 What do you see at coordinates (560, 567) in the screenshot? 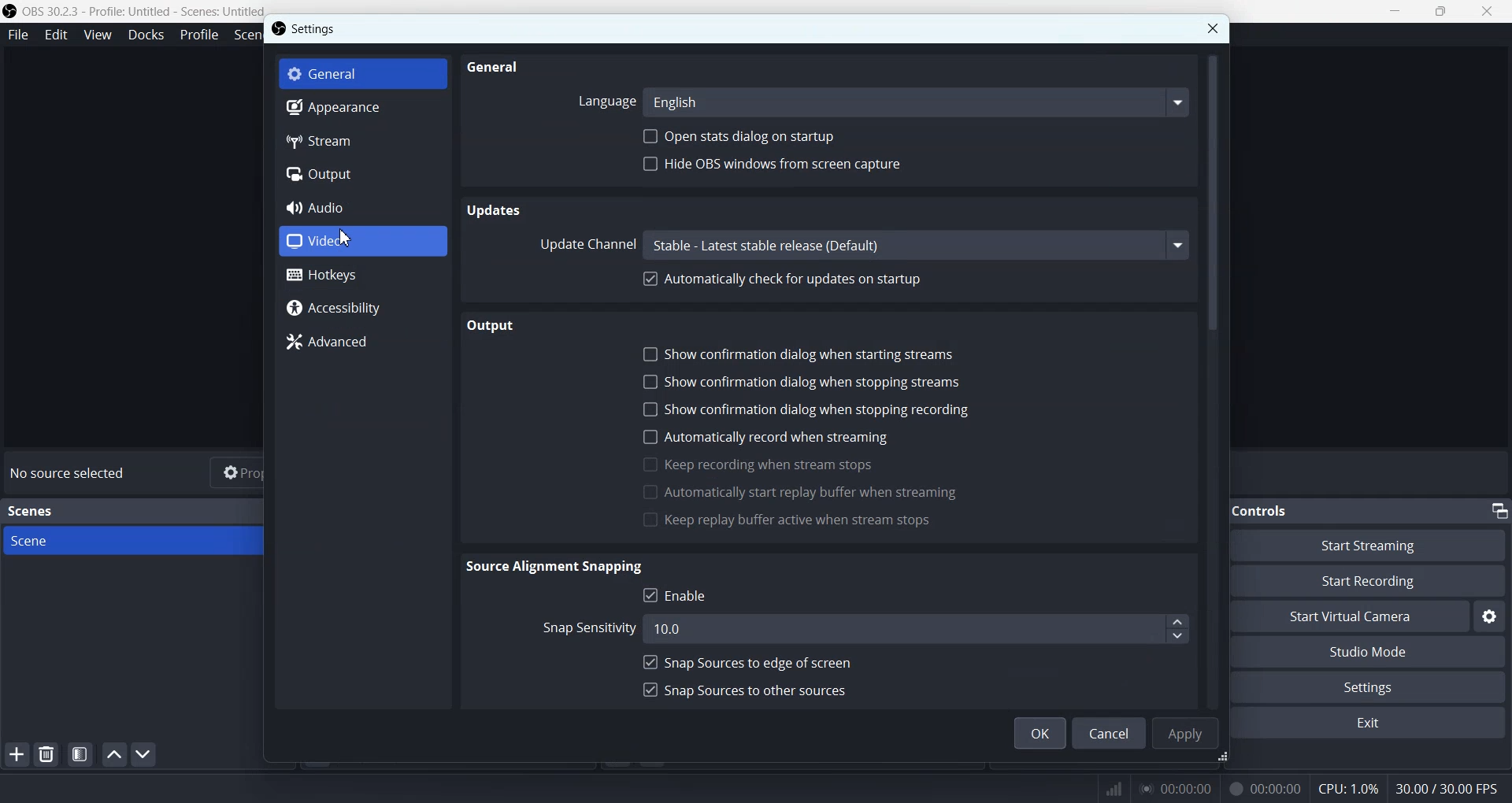
I see `Source alignment snapping` at bounding box center [560, 567].